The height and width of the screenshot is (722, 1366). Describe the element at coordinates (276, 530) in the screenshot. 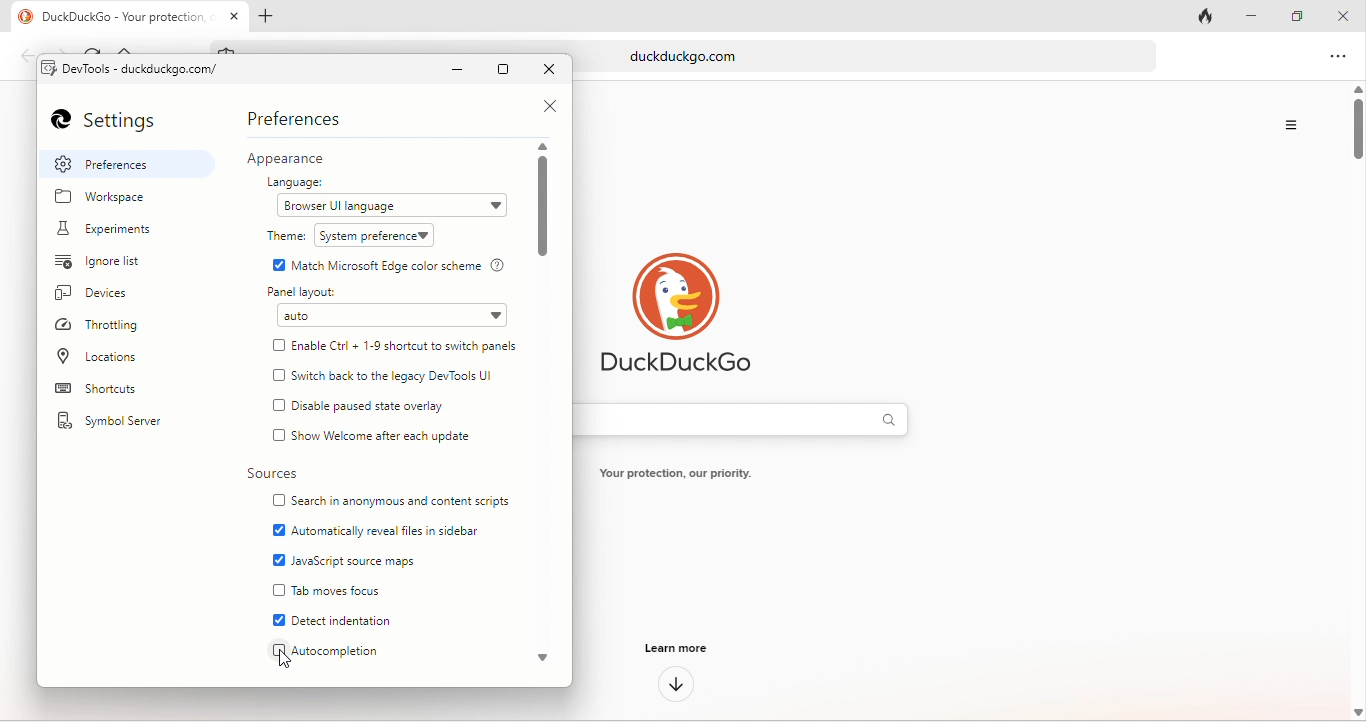

I see `enable checkbox` at that location.